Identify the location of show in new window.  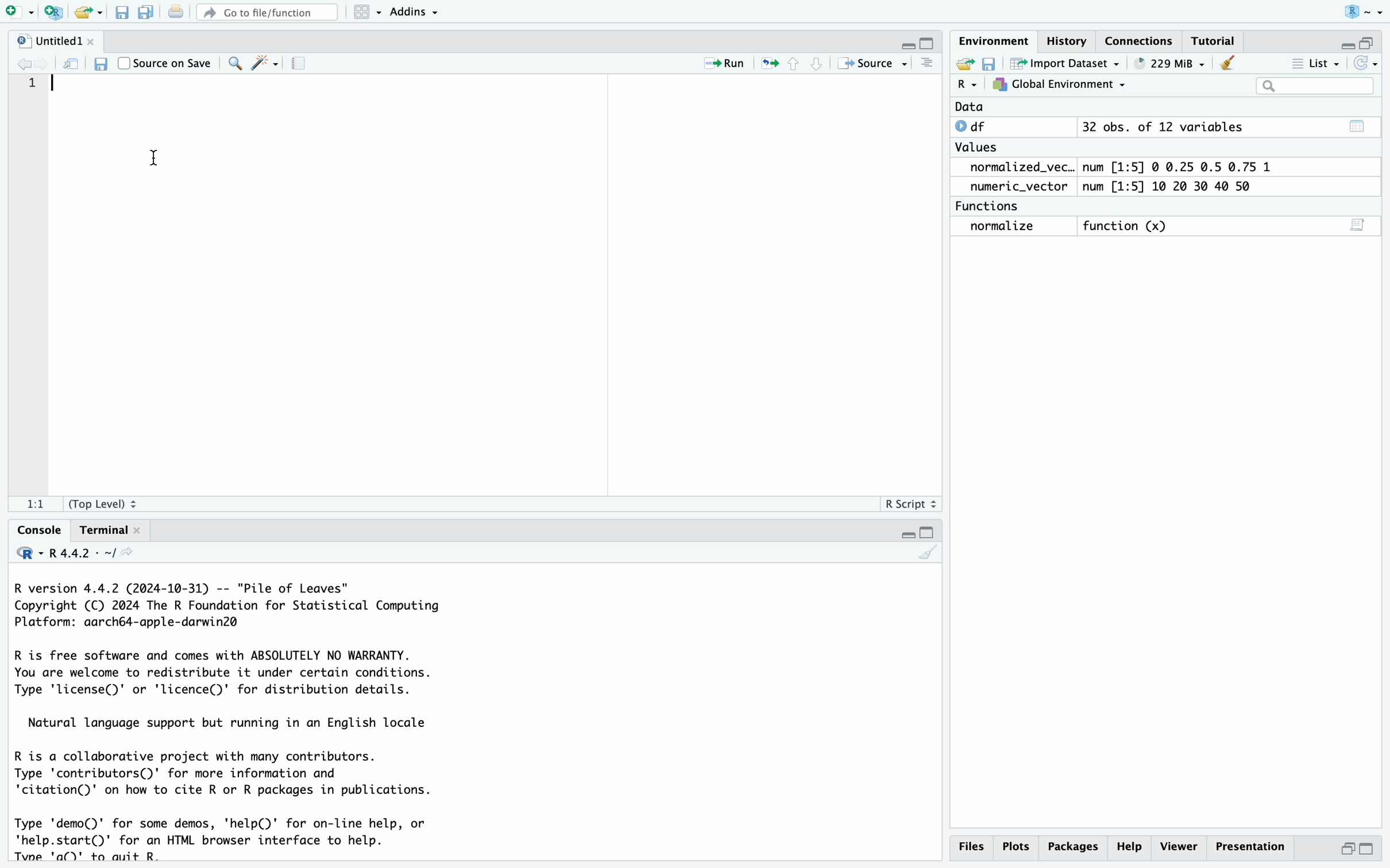
(69, 64).